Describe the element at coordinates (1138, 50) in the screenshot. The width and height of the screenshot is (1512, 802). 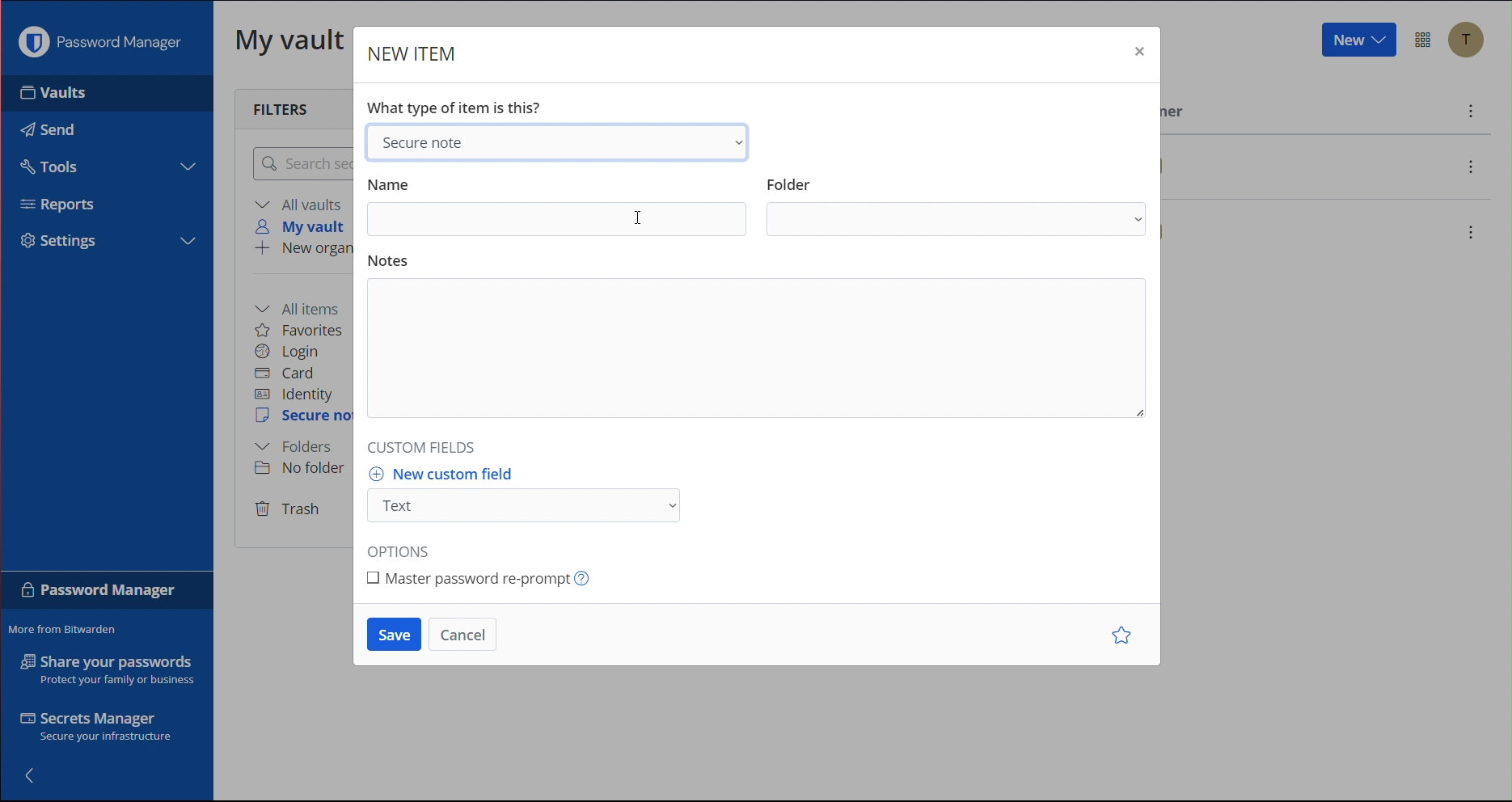
I see `Close` at that location.